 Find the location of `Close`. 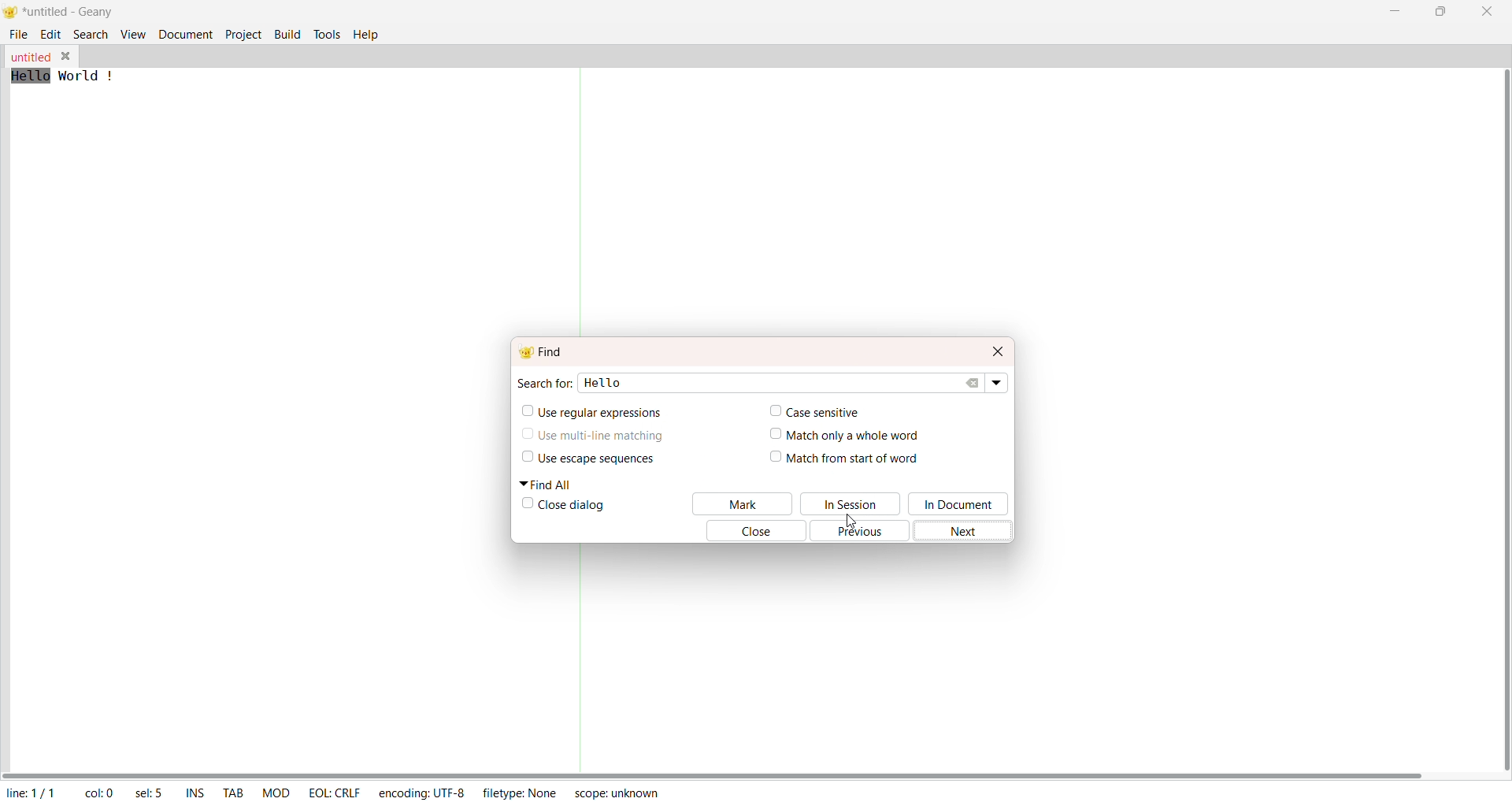

Close is located at coordinates (750, 532).